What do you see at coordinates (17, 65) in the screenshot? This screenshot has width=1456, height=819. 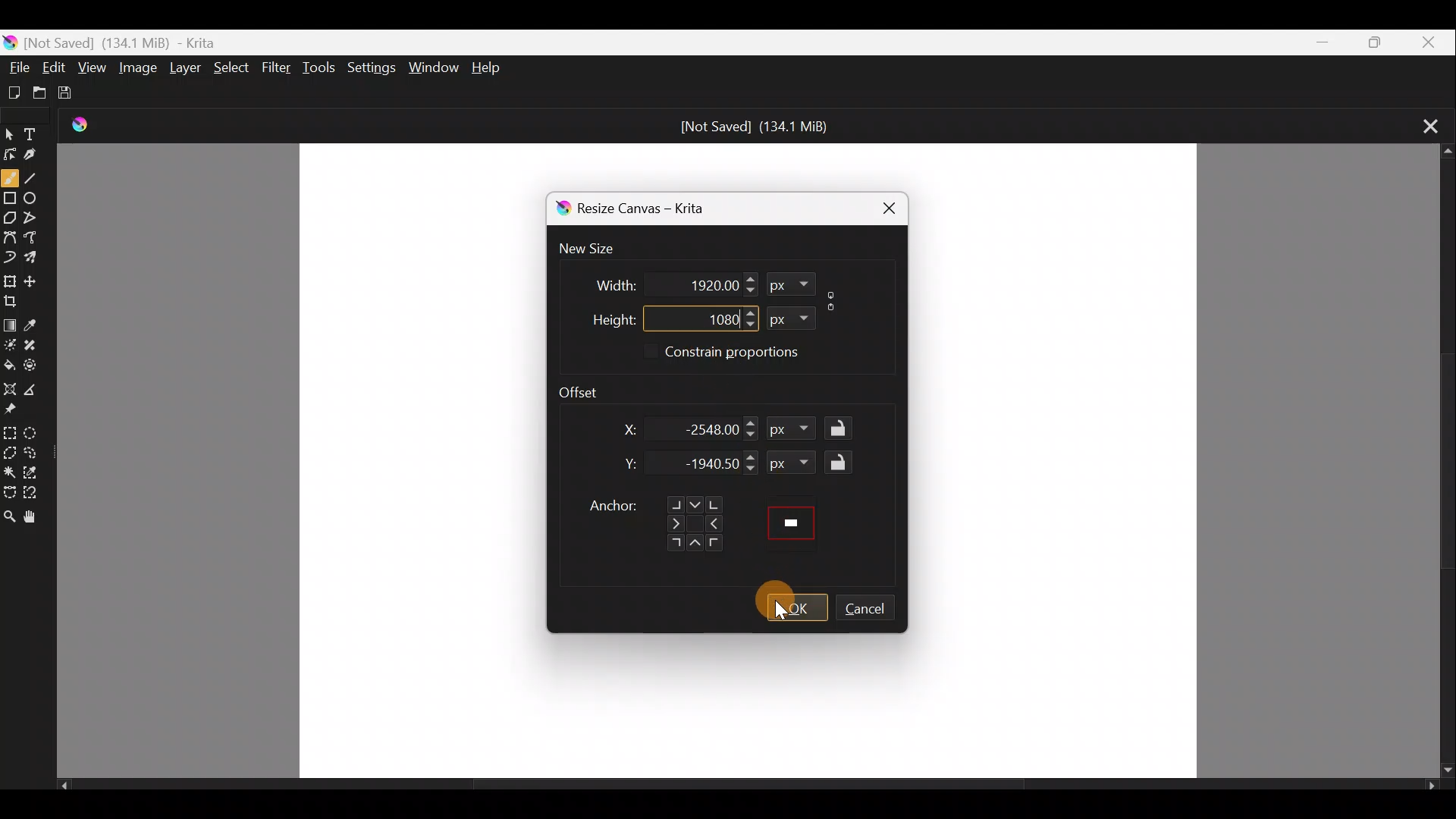 I see `File` at bounding box center [17, 65].